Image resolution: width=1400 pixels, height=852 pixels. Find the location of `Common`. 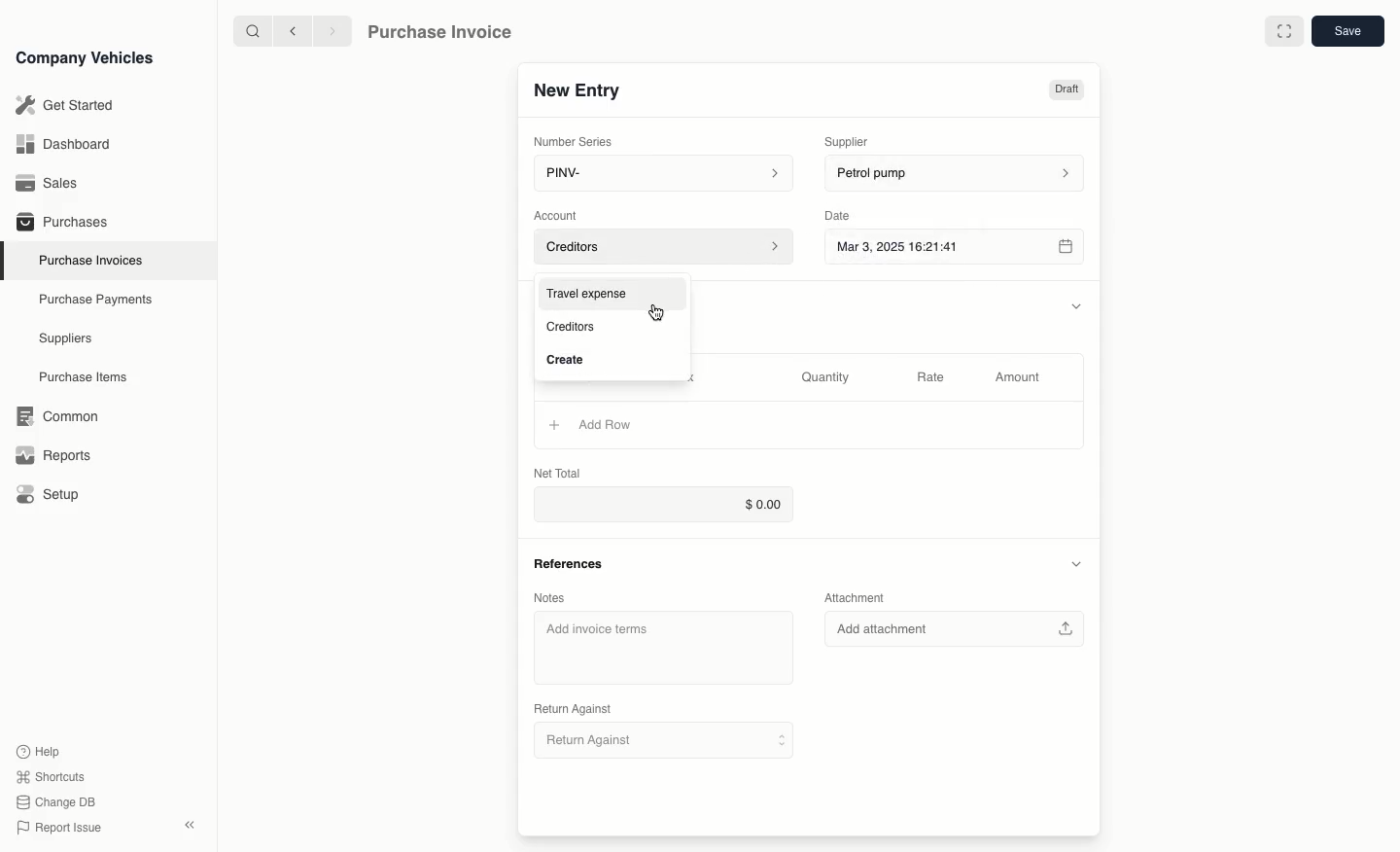

Common is located at coordinates (52, 416).